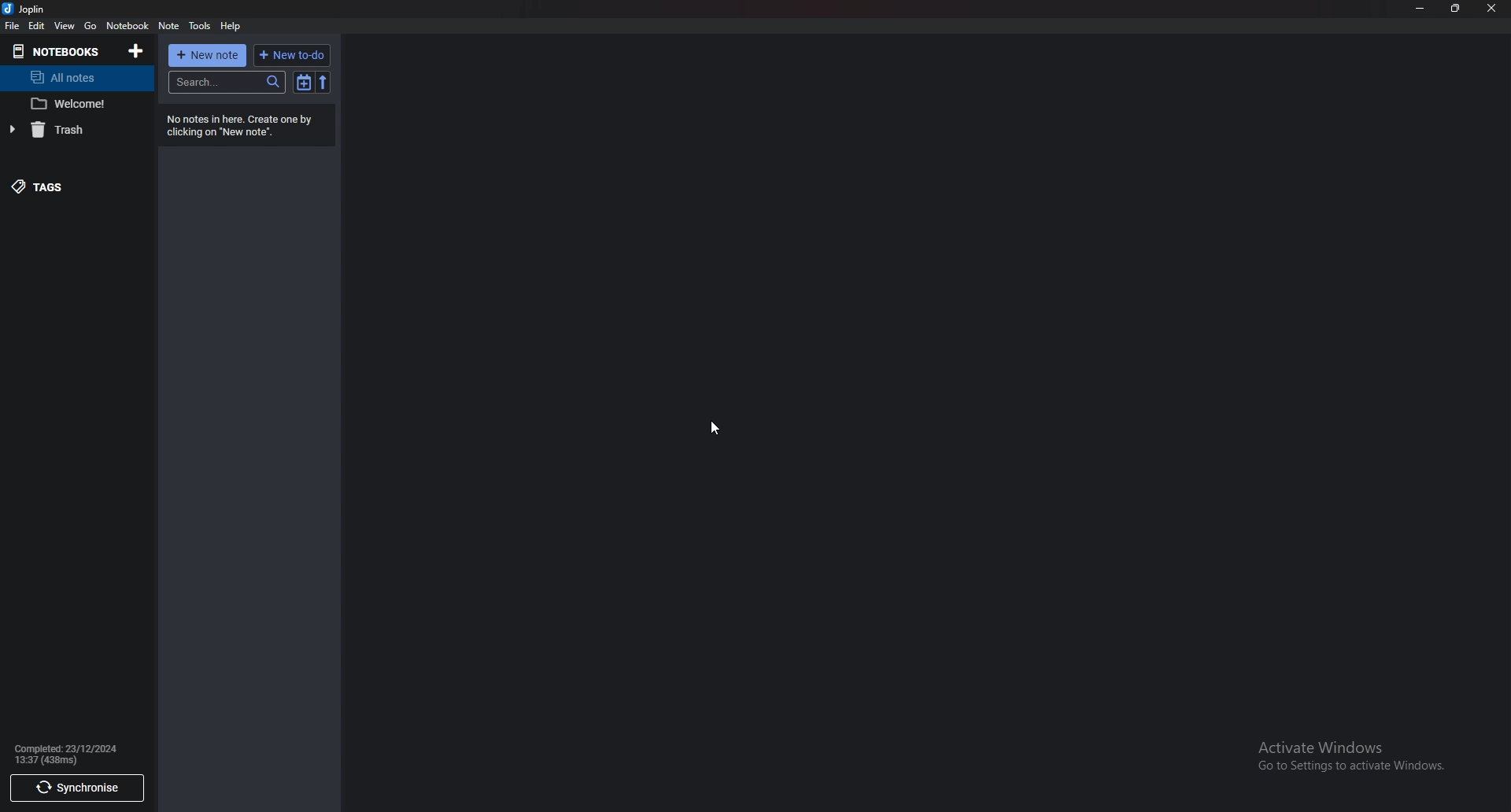  I want to click on Notebook, so click(129, 26).